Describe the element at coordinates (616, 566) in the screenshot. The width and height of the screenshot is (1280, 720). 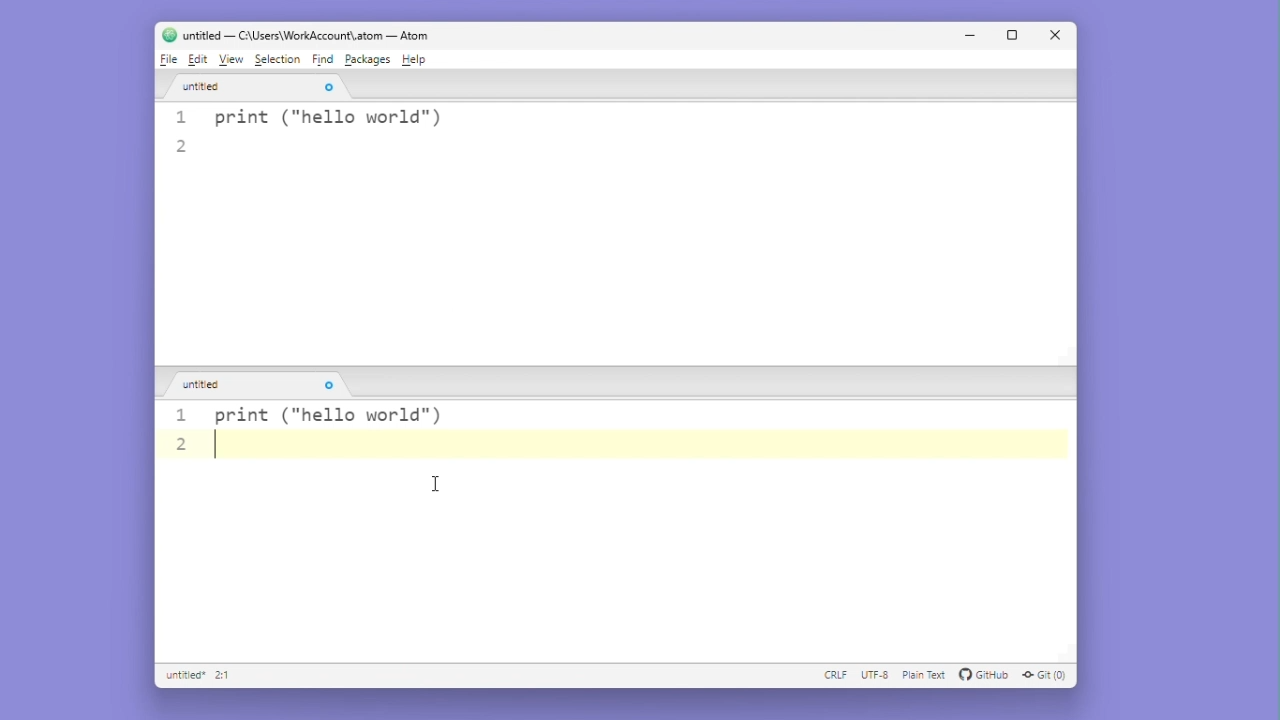
I see `Second editor pane` at that location.